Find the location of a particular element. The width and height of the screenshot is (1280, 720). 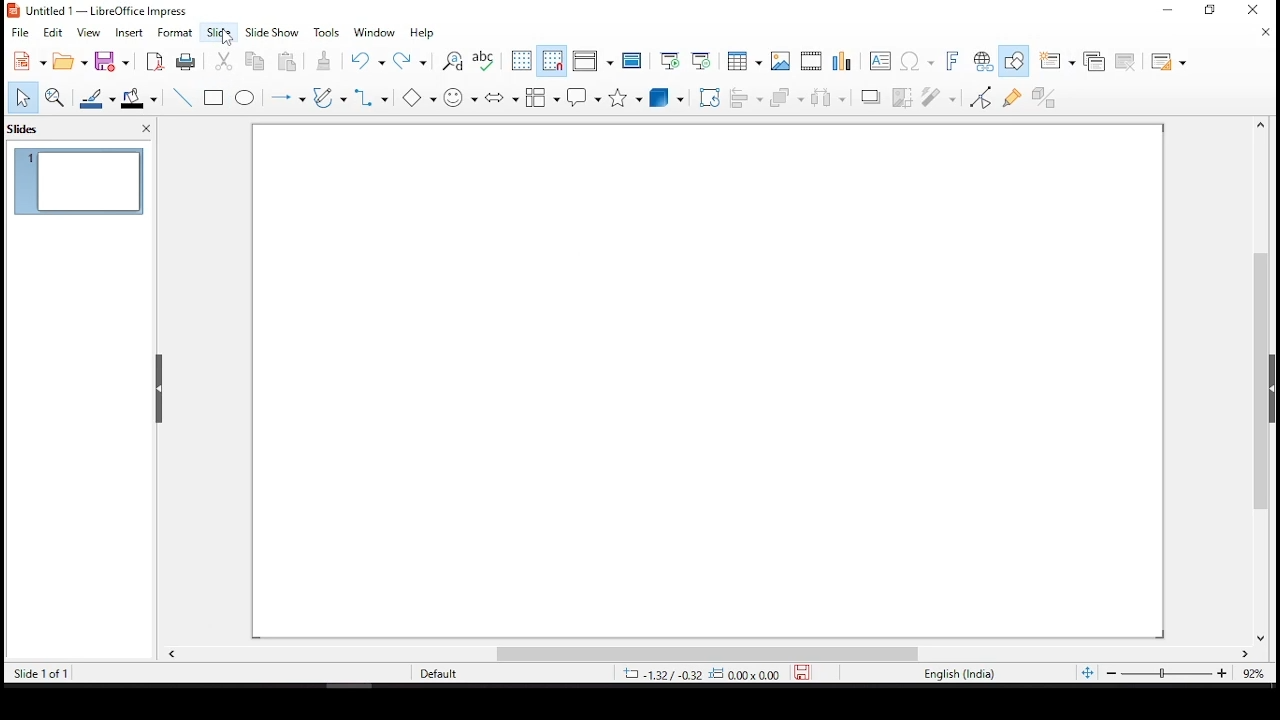

undo is located at coordinates (364, 61).